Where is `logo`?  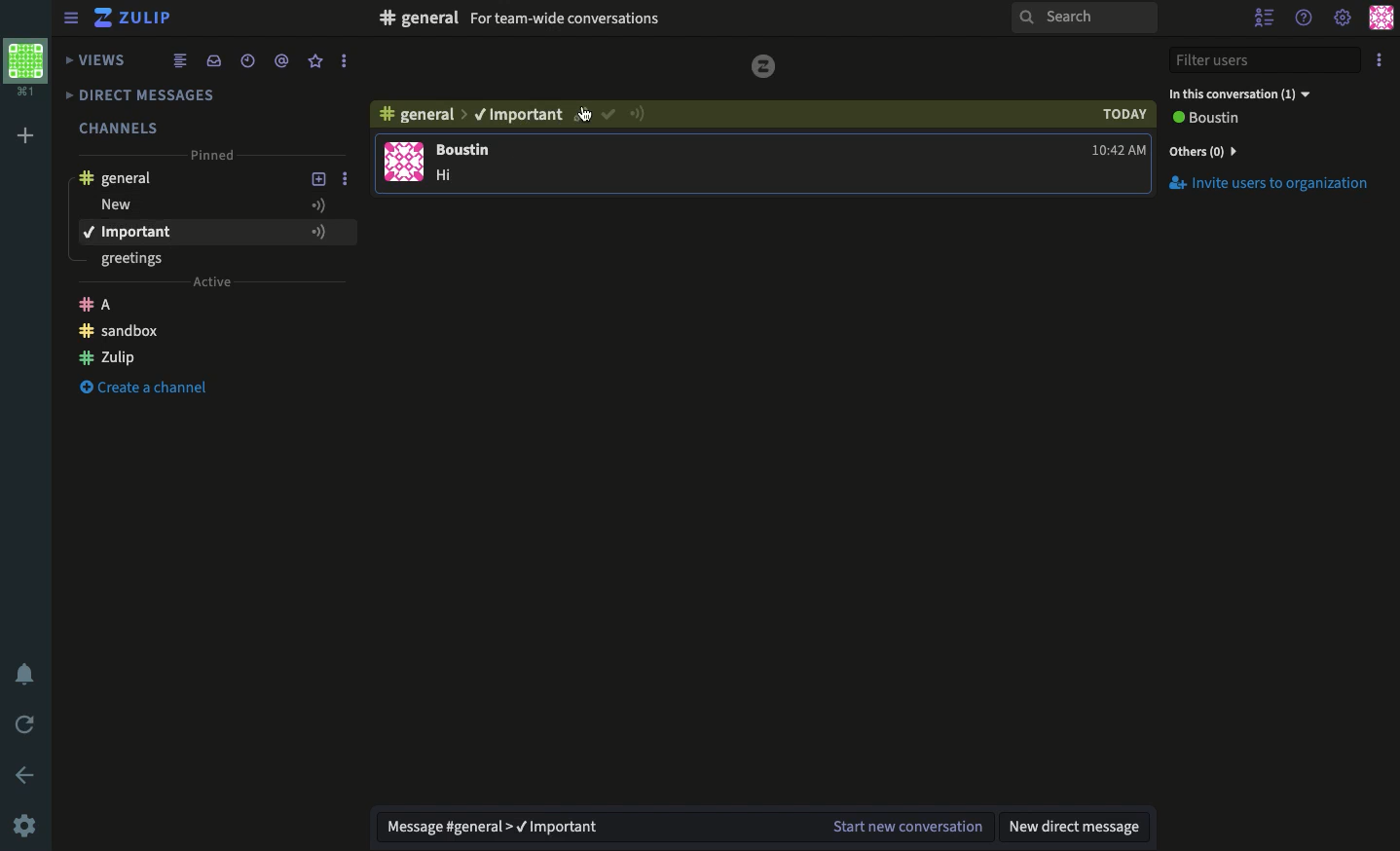
logo is located at coordinates (764, 71).